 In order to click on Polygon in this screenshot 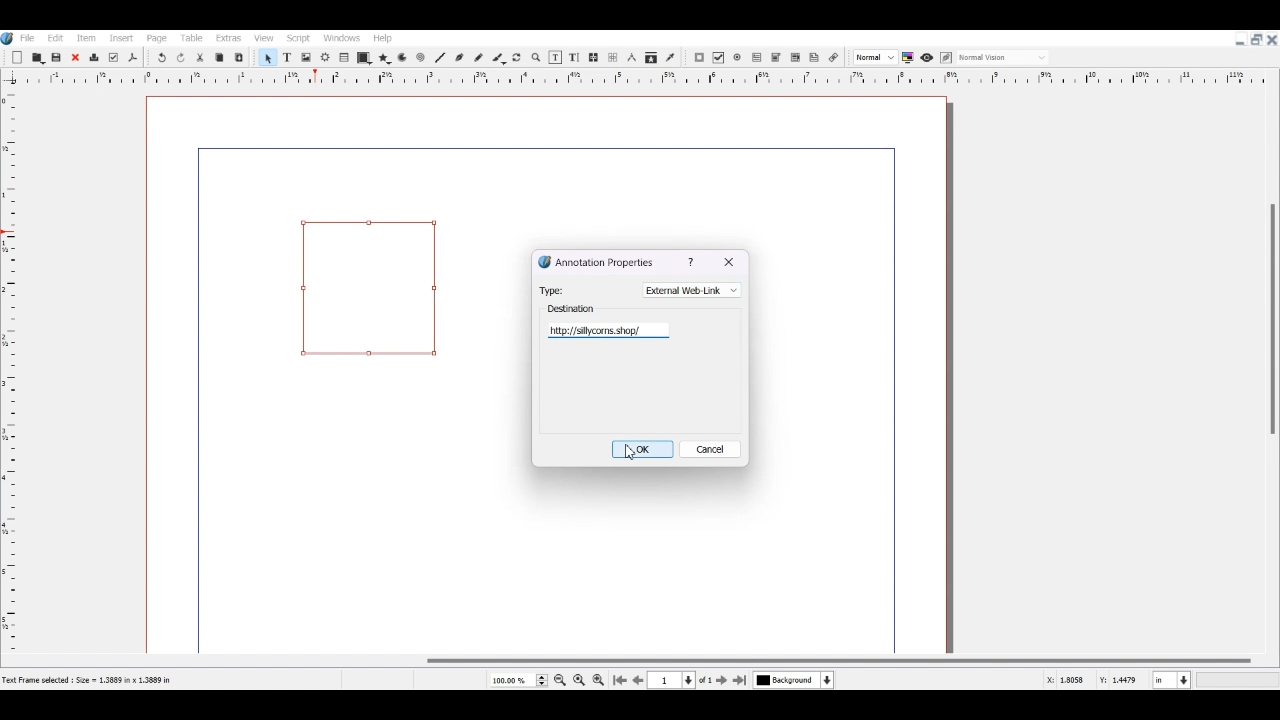, I will do `click(384, 58)`.